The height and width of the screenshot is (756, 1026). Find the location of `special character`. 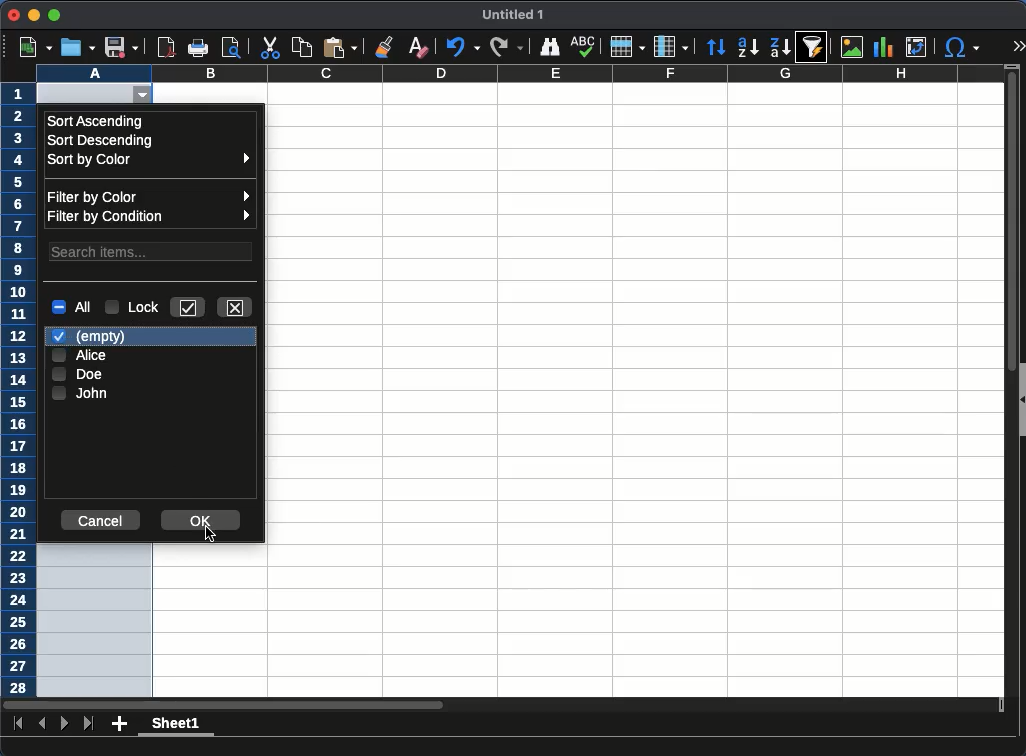

special character is located at coordinates (961, 49).